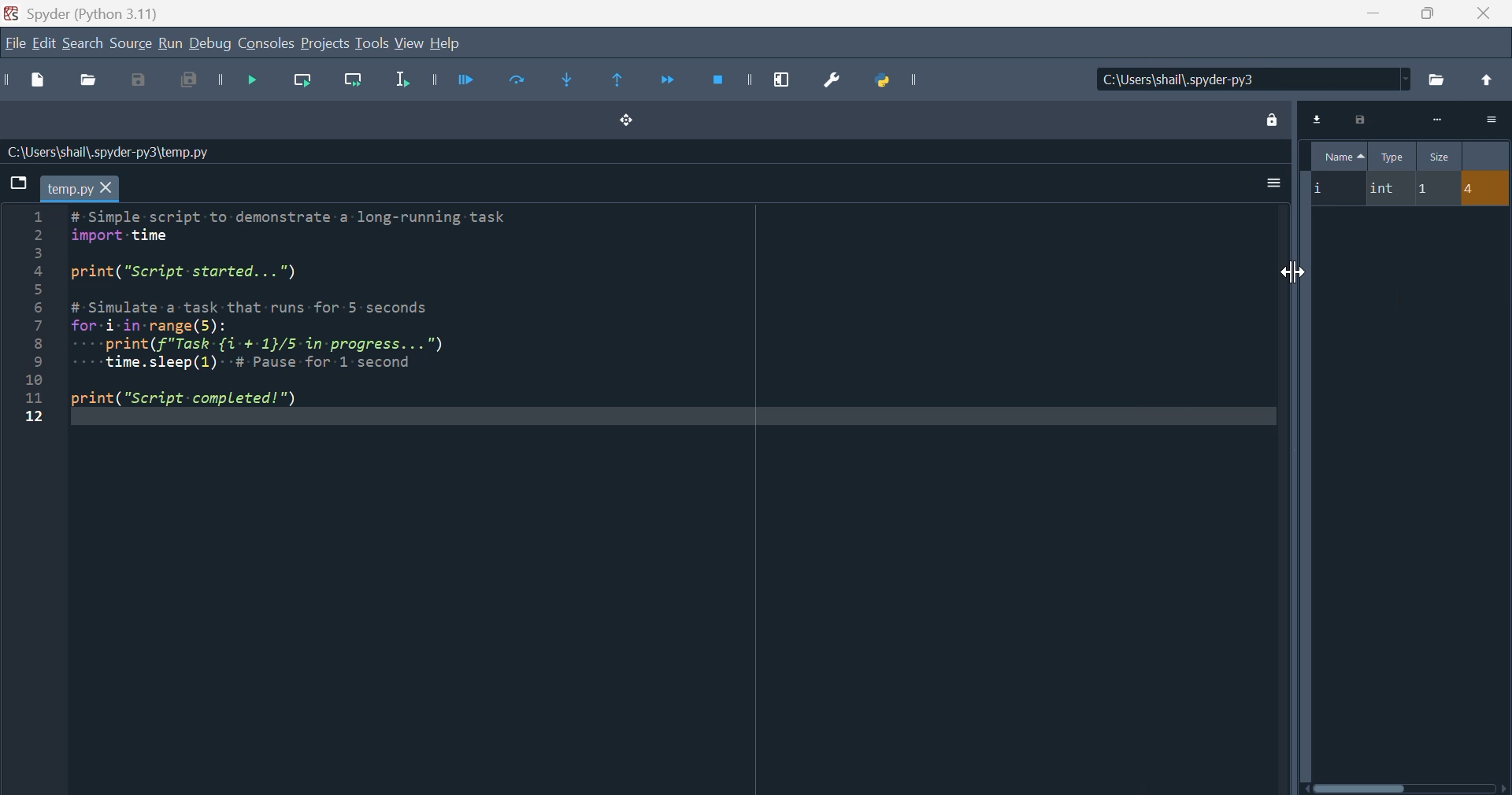  I want to click on browse tabs, so click(18, 183).